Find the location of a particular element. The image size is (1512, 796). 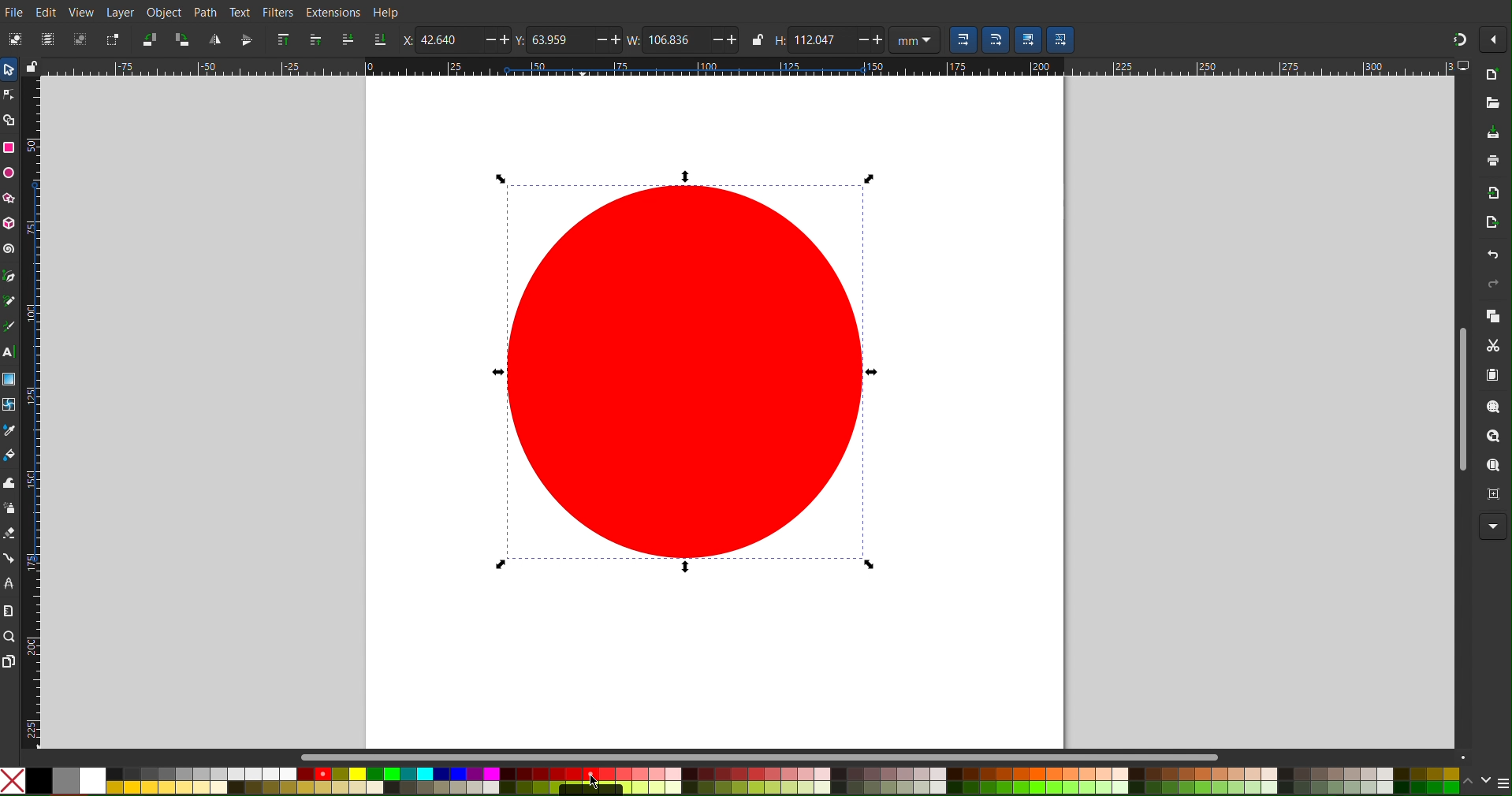

Path is located at coordinates (203, 10).